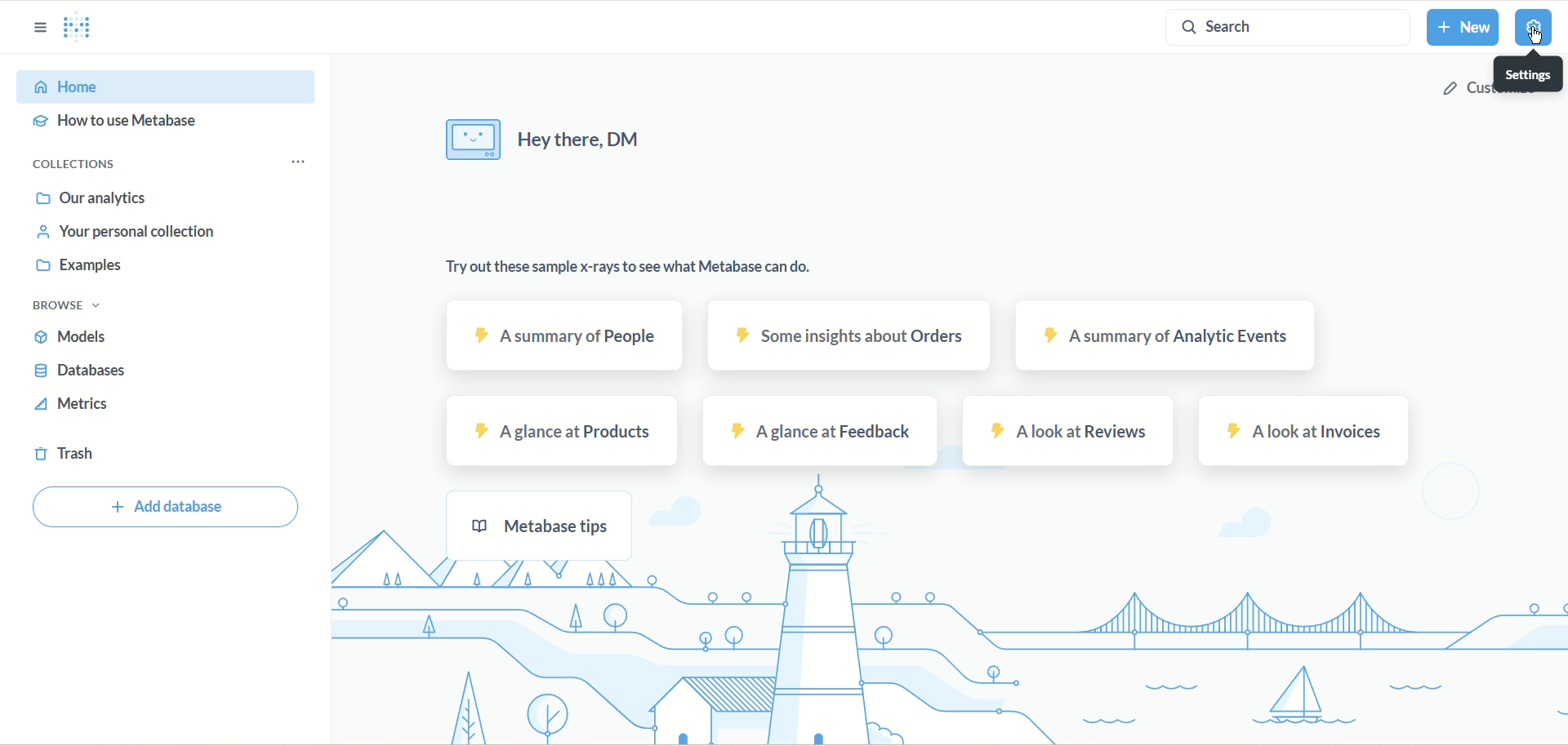  I want to click on Browse, so click(58, 303).